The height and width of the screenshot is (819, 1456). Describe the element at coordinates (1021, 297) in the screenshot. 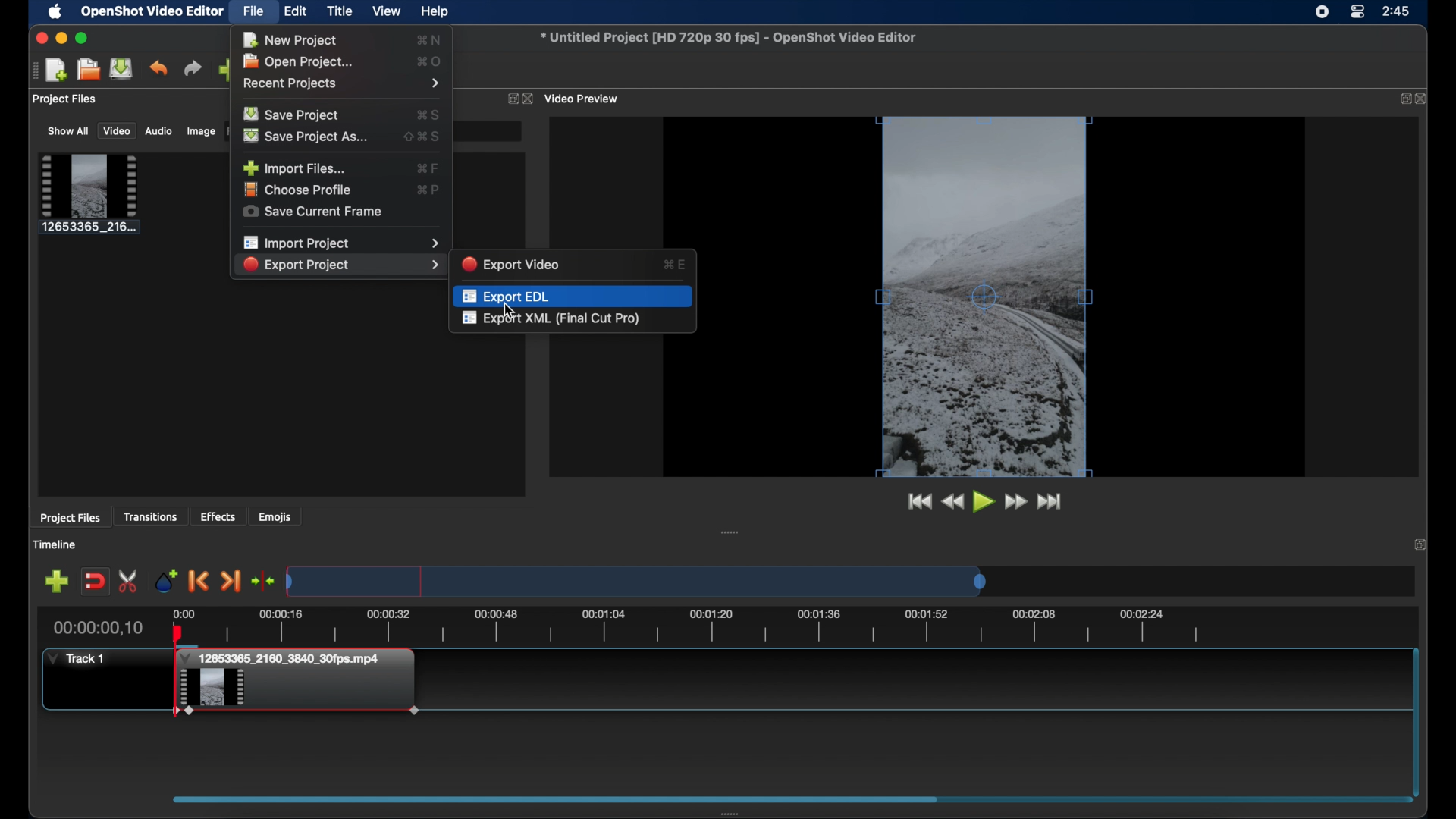

I see `preview` at that location.